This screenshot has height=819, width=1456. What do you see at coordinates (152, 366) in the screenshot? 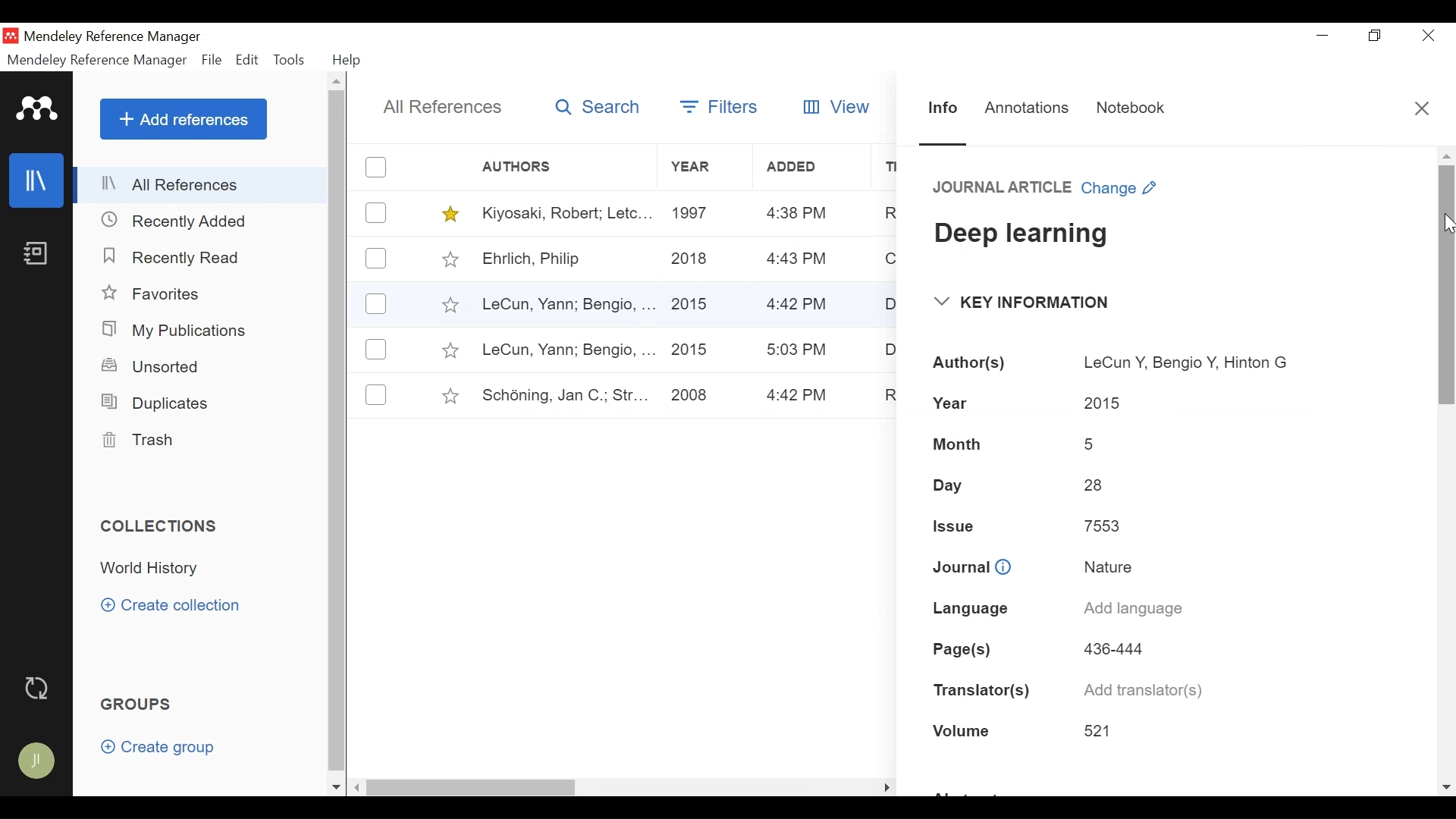
I see `Unsorted` at bounding box center [152, 366].